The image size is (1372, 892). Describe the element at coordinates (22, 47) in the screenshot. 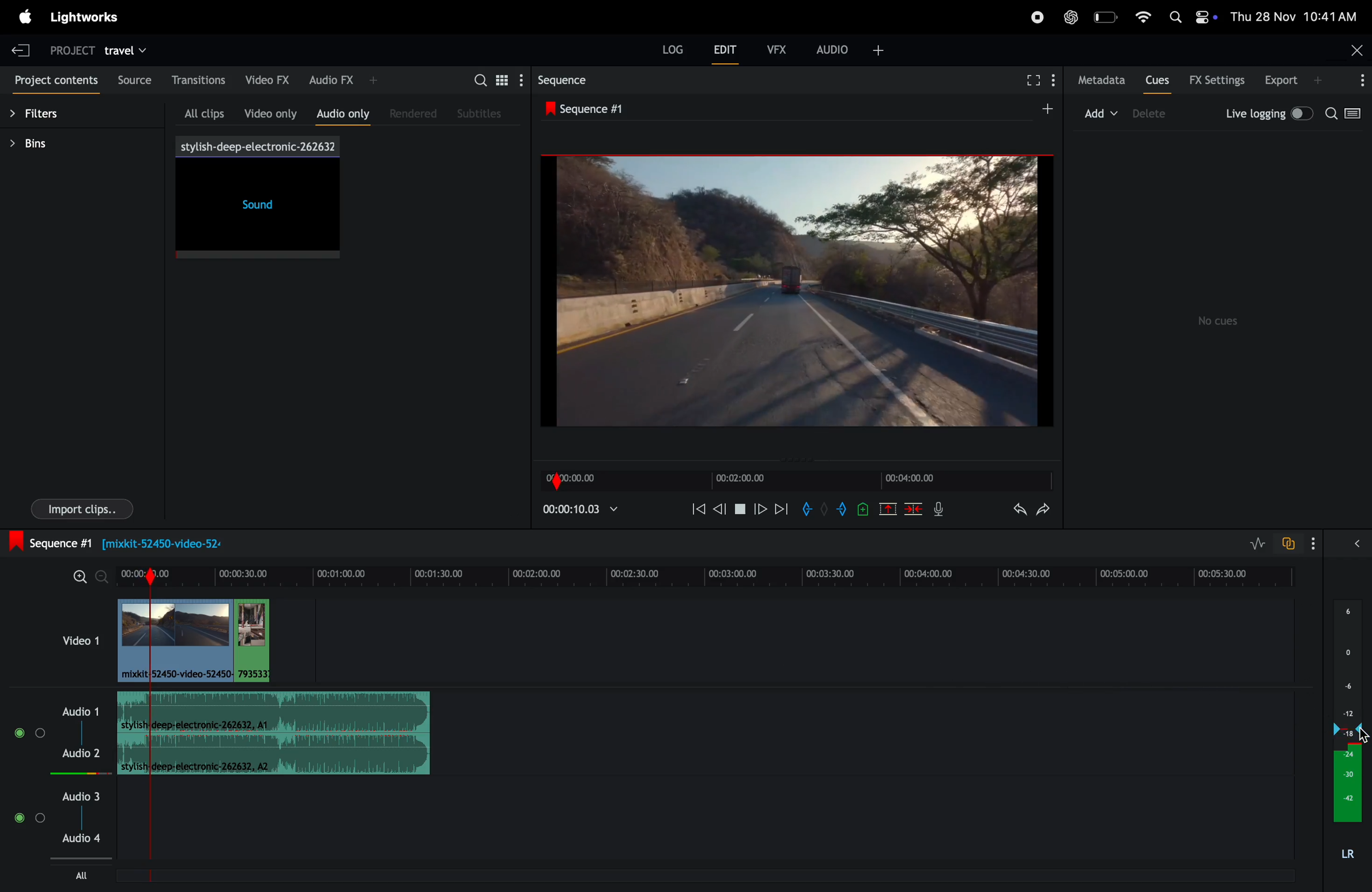

I see `exit` at that location.